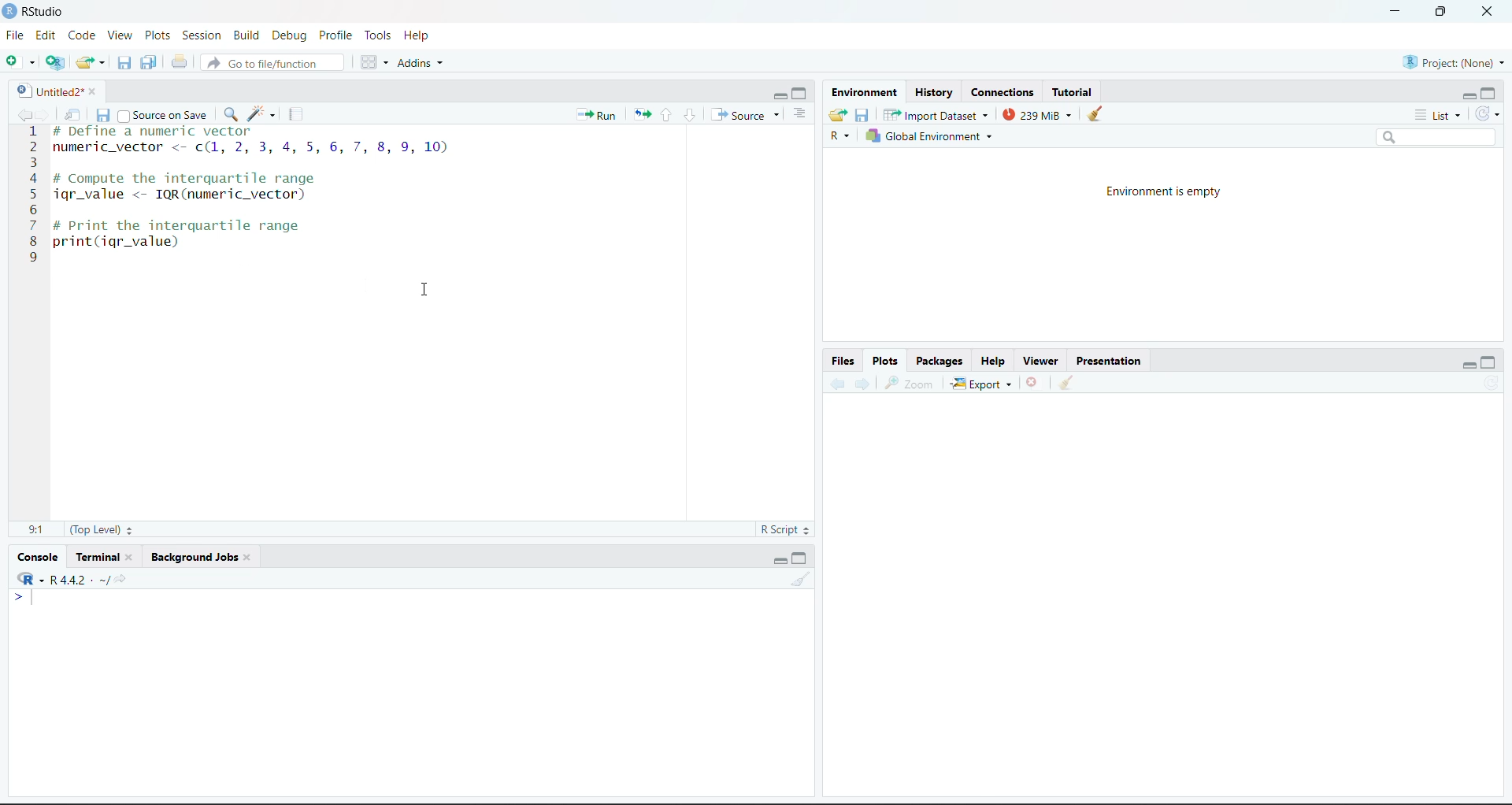 The width and height of the screenshot is (1512, 805). Describe the element at coordinates (861, 384) in the screenshot. I see `Go forward to the next source location (Ctrl + F10)` at that location.